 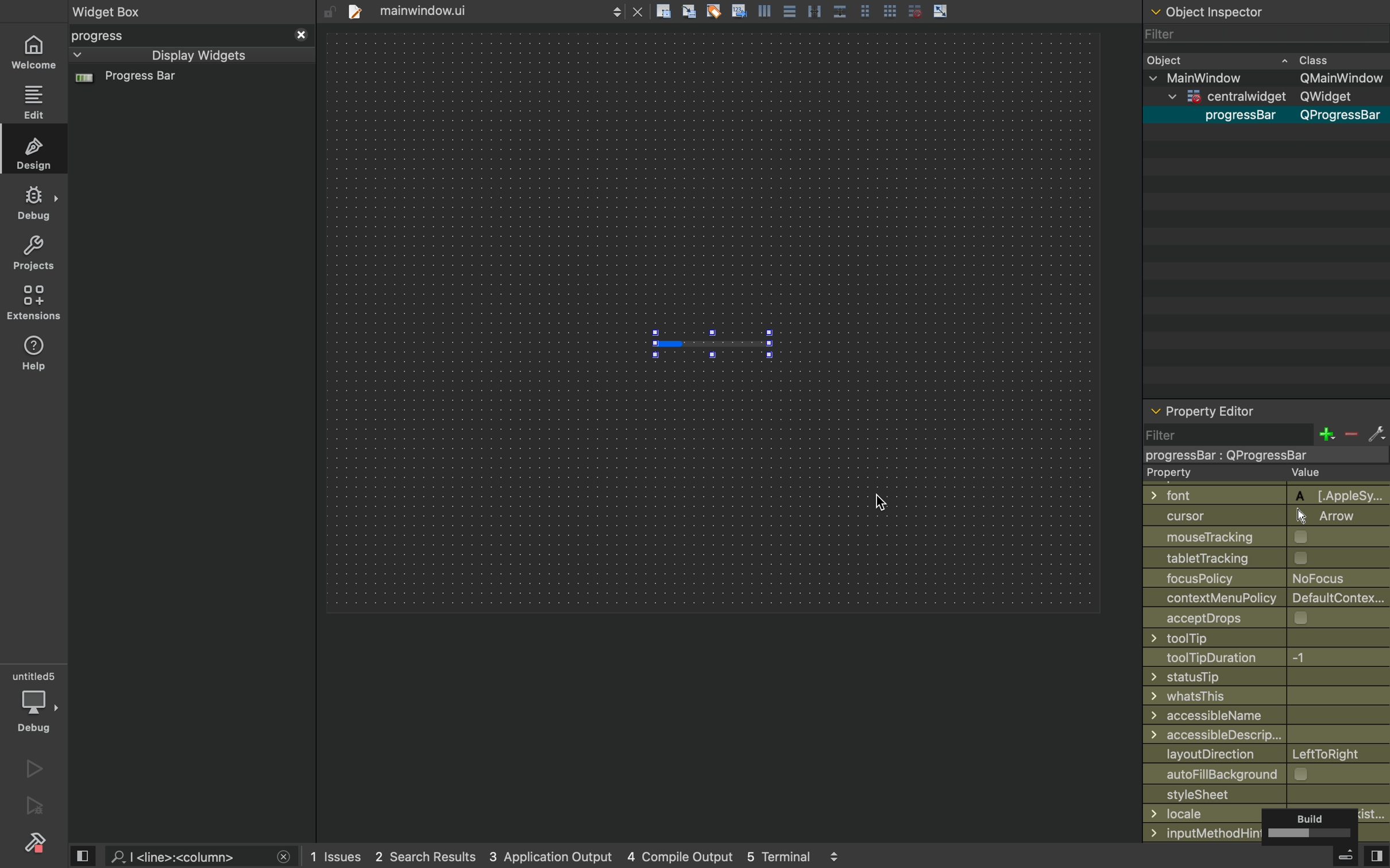 I want to click on edit, so click(x=34, y=102).